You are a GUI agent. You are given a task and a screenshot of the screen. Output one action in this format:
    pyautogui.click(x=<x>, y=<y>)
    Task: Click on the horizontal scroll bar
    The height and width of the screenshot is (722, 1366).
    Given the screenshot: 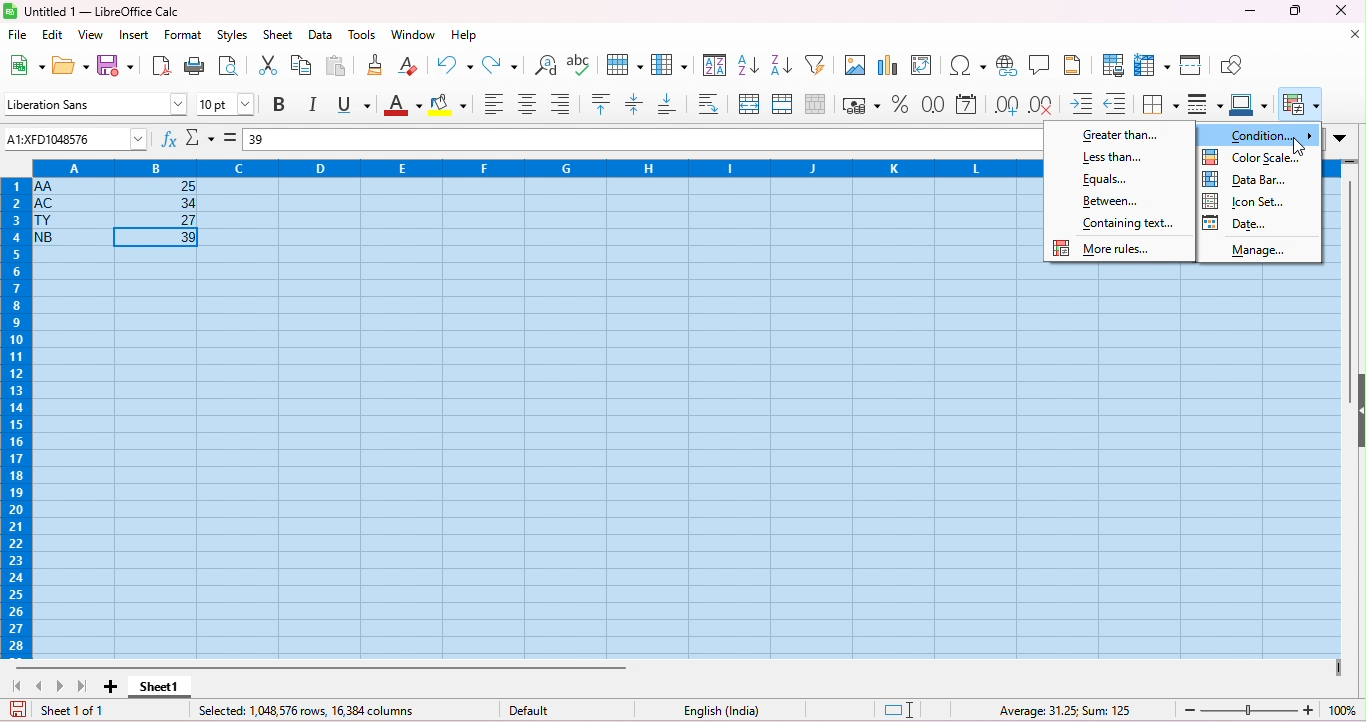 What is the action you would take?
    pyautogui.click(x=323, y=667)
    